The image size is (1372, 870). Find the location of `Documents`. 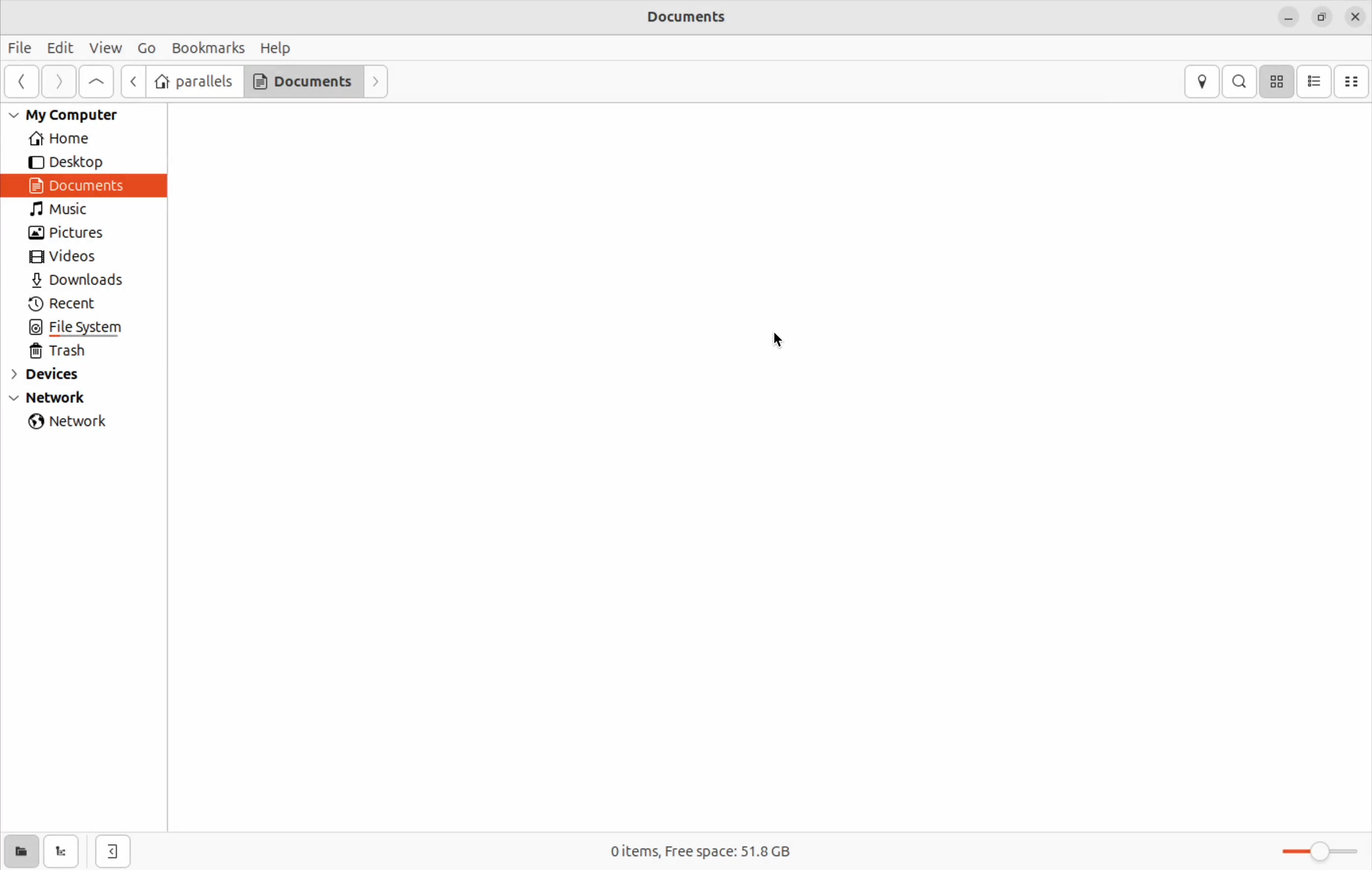

Documents is located at coordinates (690, 18).